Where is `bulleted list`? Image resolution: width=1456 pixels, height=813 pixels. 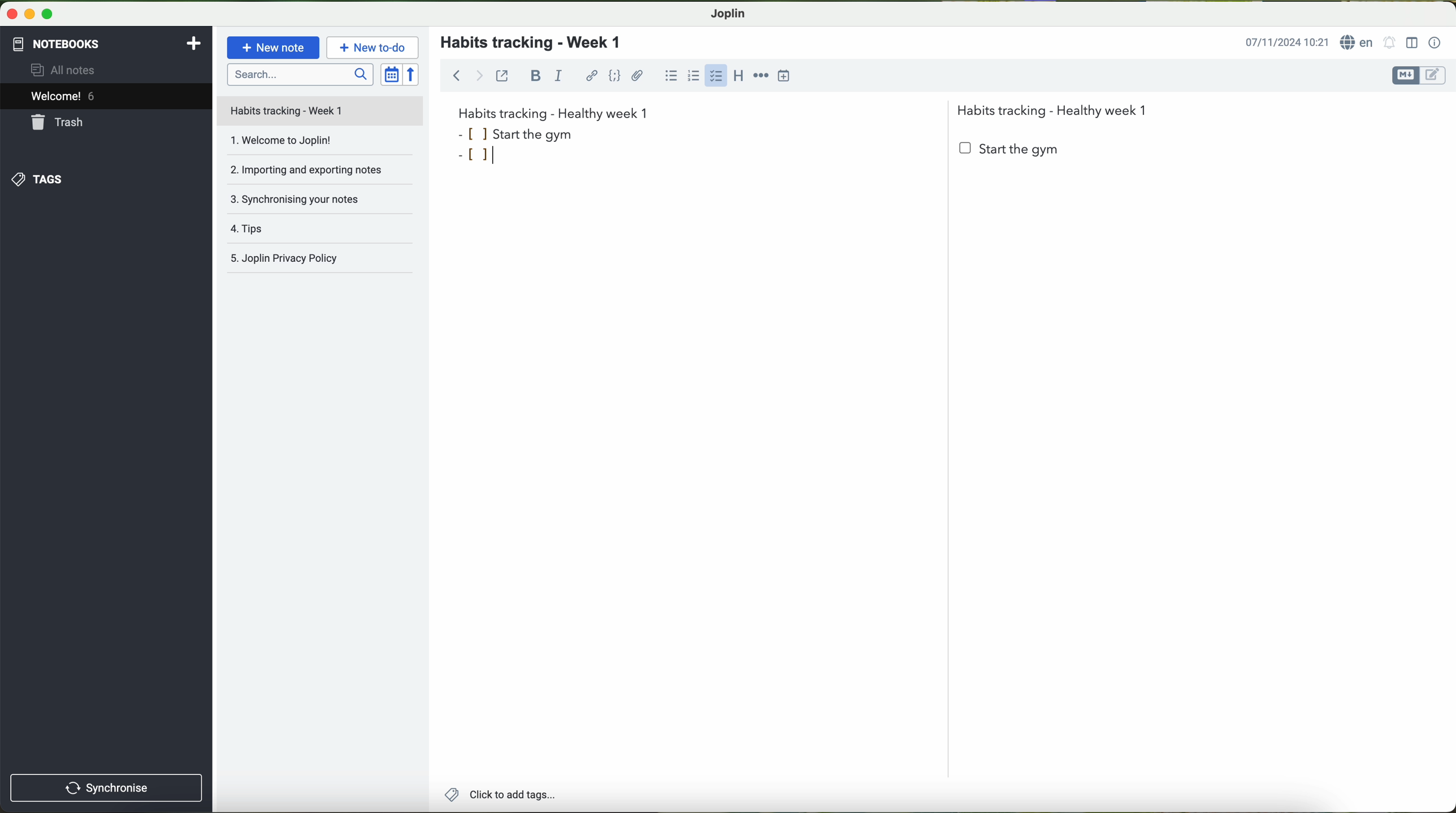
bulleted list is located at coordinates (671, 75).